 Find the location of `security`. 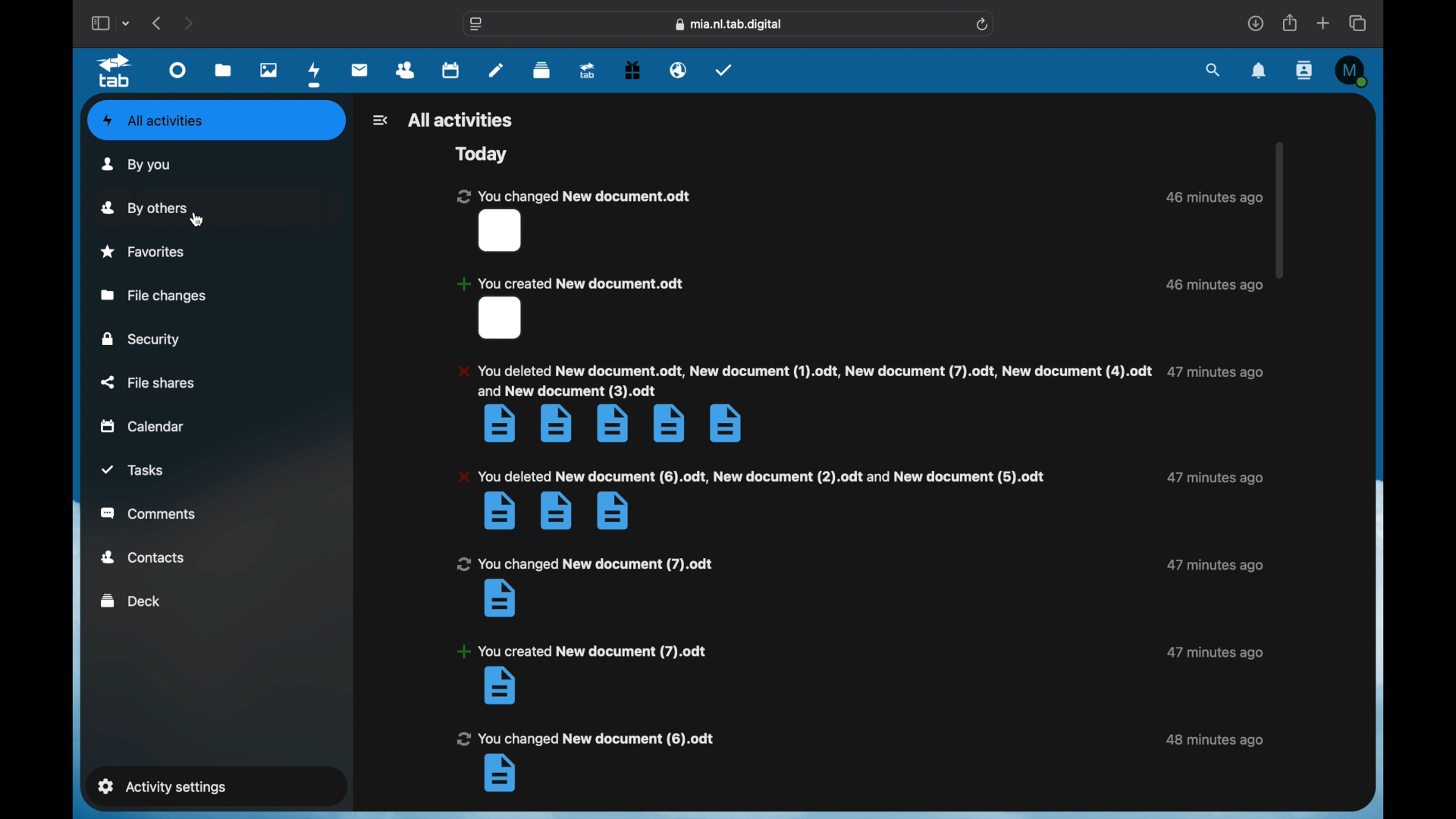

security is located at coordinates (141, 340).